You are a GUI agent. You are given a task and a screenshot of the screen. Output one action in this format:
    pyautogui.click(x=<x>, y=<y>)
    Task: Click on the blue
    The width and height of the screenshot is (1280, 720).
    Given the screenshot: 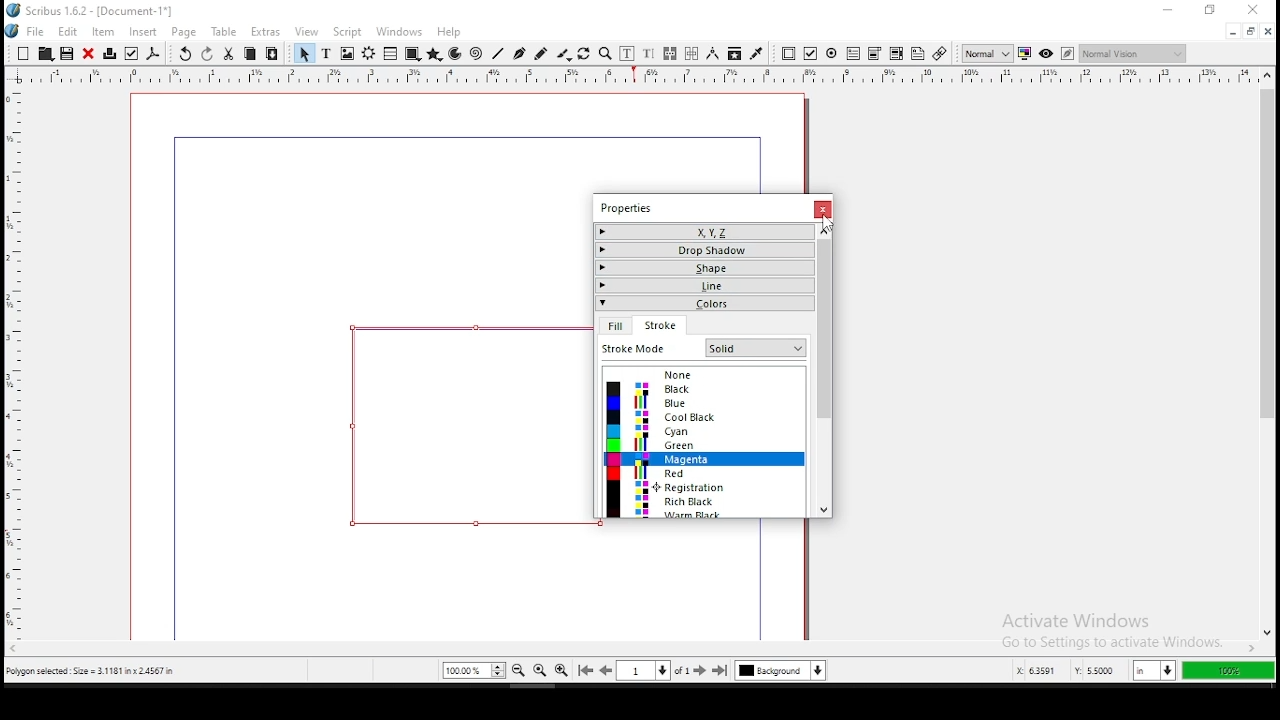 What is the action you would take?
    pyautogui.click(x=703, y=402)
    